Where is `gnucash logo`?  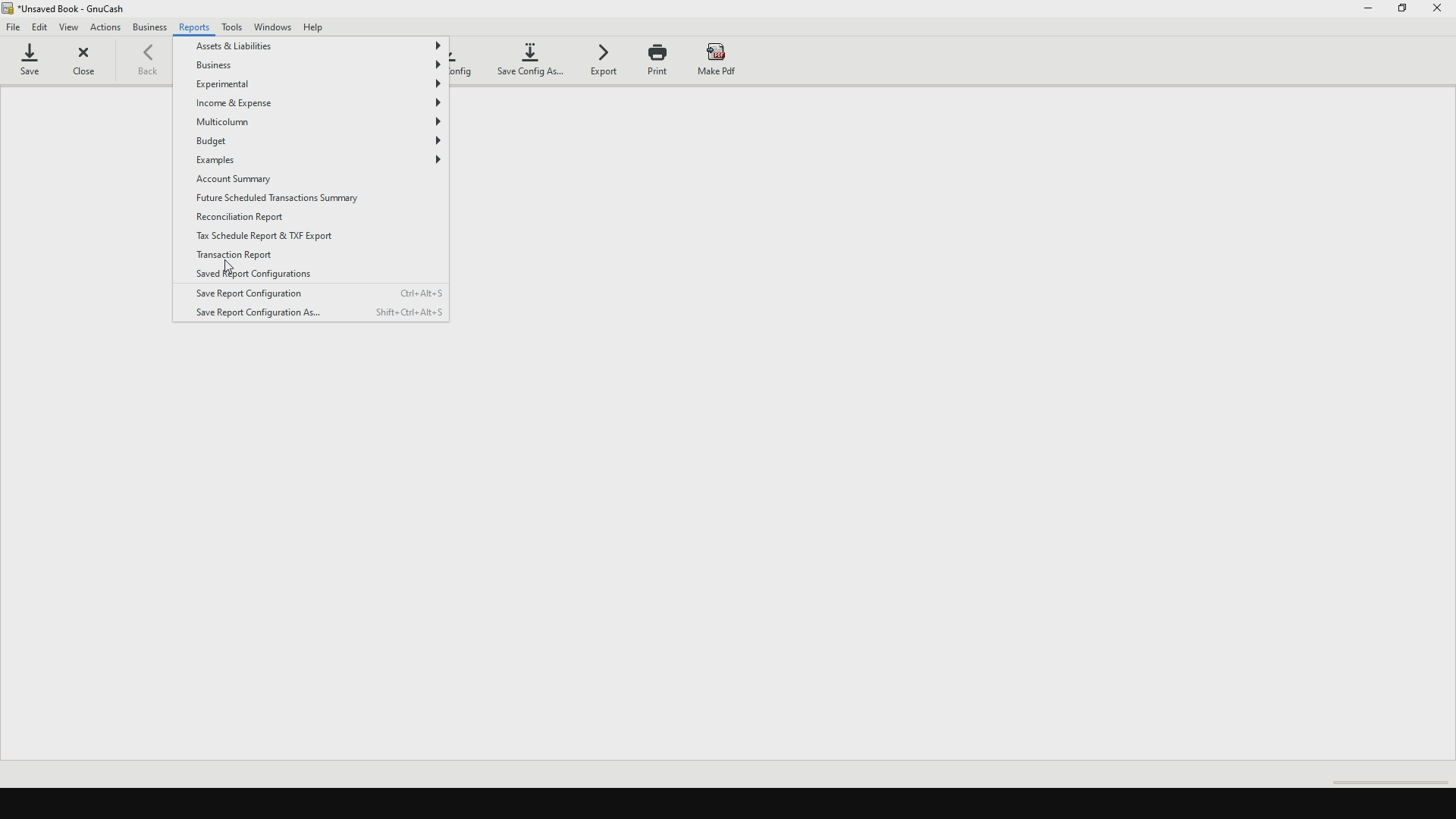
gnucash logo is located at coordinates (11, 10).